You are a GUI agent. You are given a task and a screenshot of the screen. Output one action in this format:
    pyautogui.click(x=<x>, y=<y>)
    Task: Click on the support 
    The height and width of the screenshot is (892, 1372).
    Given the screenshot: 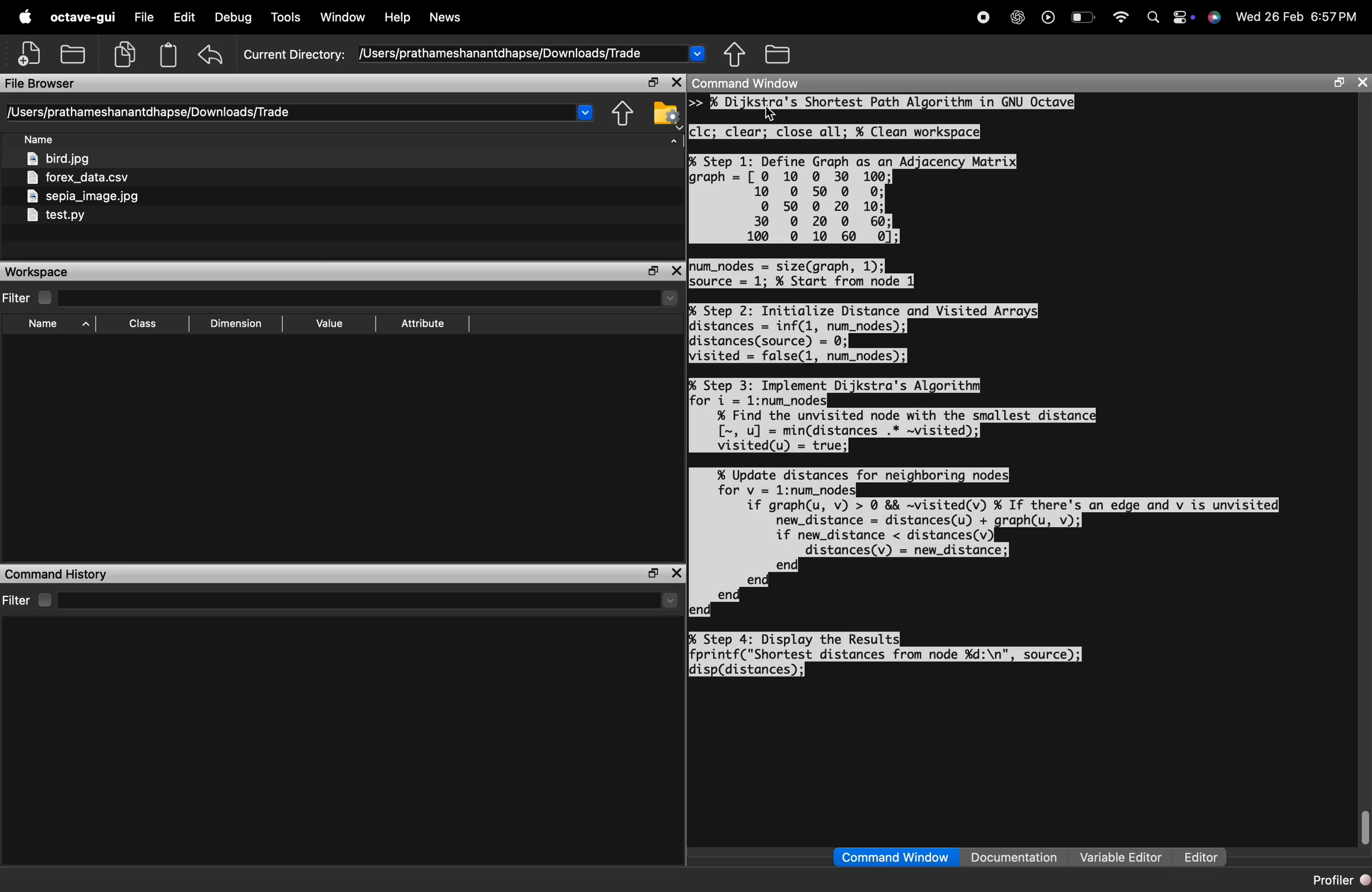 What is the action you would take?
    pyautogui.click(x=1216, y=18)
    